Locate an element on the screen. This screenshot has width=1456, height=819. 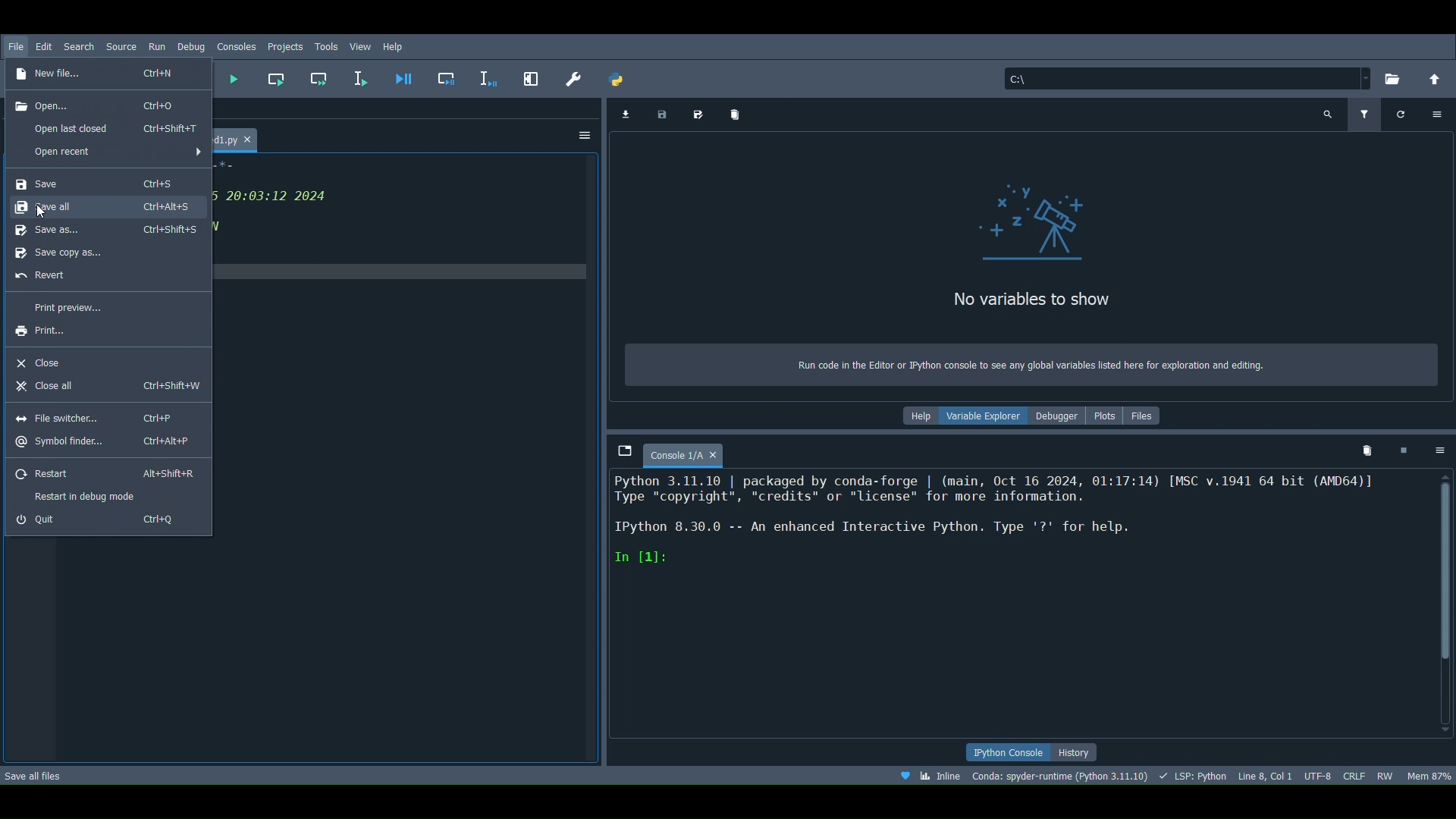
Change to parent directory is located at coordinates (1436, 75).